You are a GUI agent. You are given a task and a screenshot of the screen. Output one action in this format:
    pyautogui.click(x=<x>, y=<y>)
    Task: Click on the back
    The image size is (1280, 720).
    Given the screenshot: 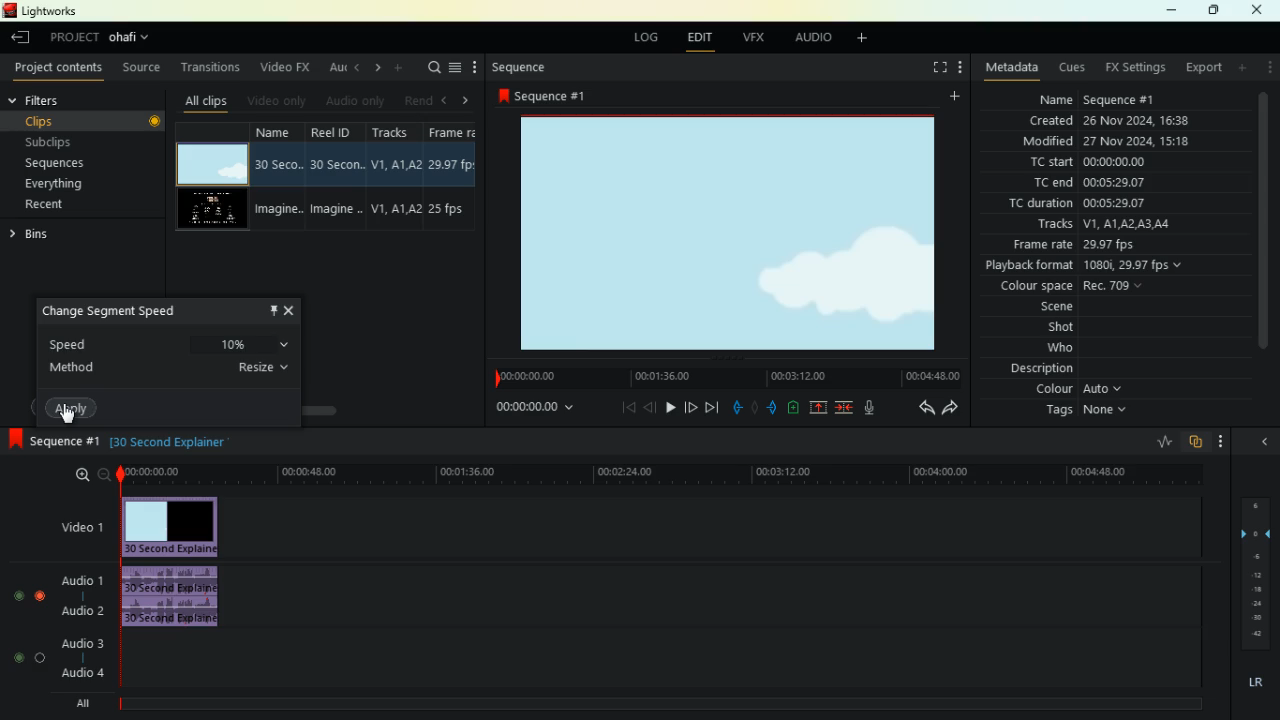 What is the action you would take?
    pyautogui.click(x=650, y=407)
    